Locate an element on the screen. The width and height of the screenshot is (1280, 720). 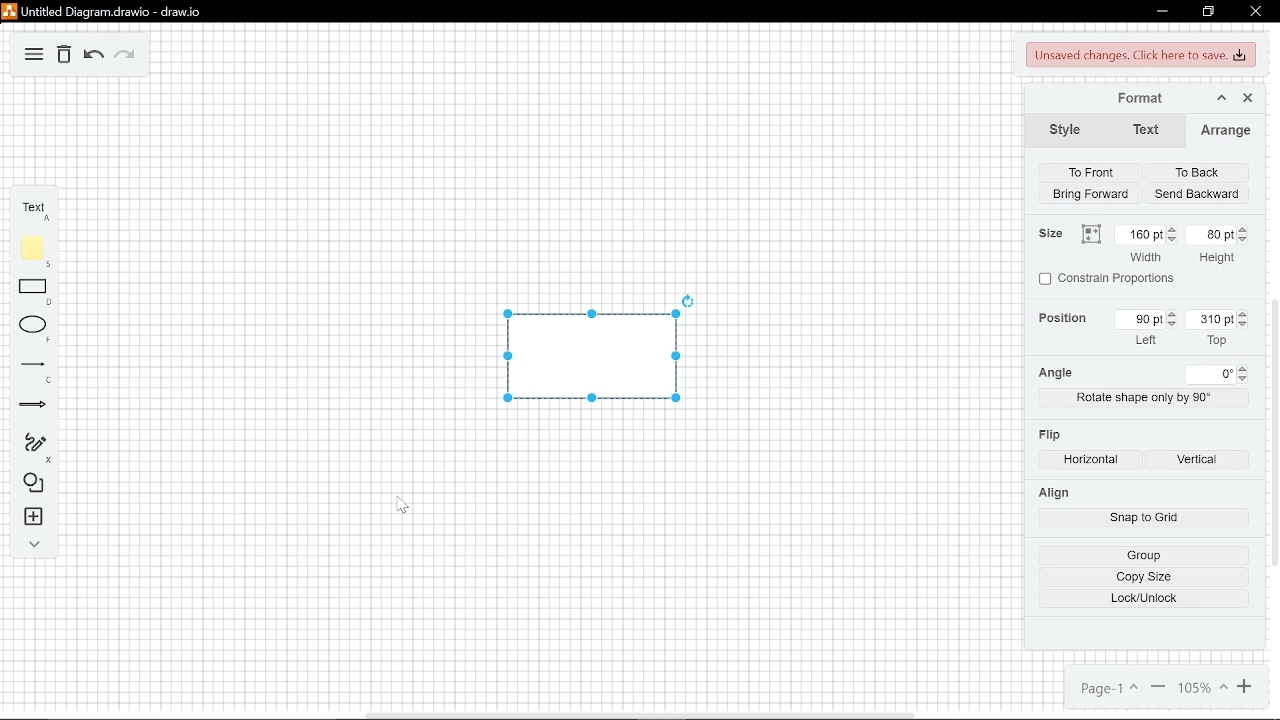
increase top position is located at coordinates (1171, 313).